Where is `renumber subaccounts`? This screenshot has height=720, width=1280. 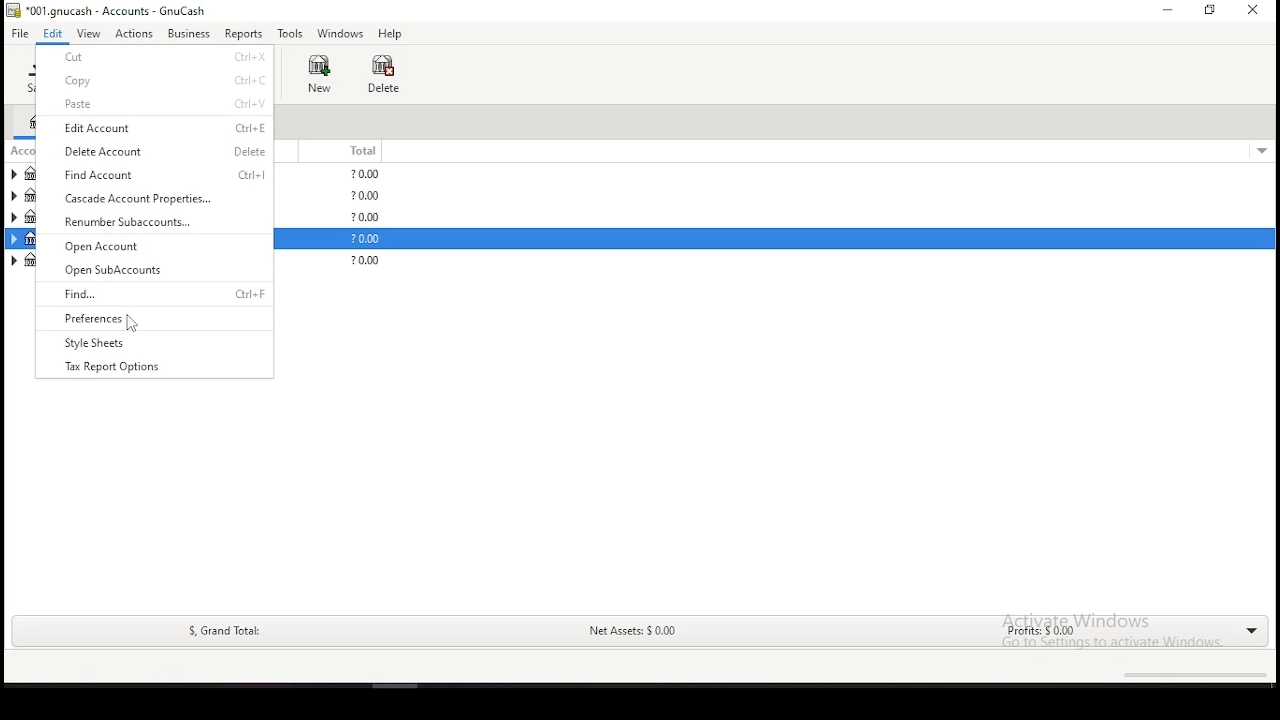 renumber subaccounts is located at coordinates (153, 220).